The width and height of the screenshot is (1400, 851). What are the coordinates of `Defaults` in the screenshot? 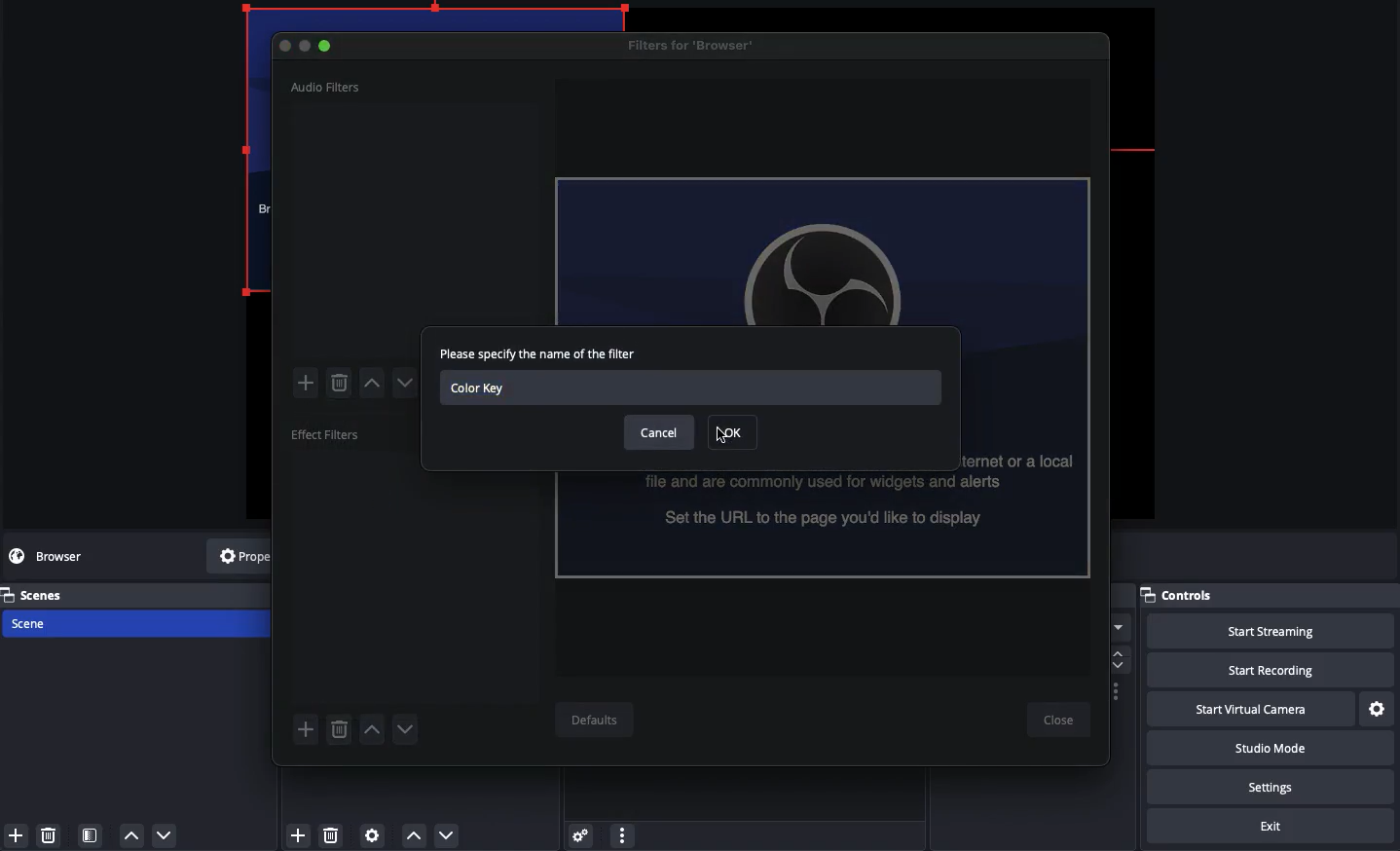 It's located at (600, 721).